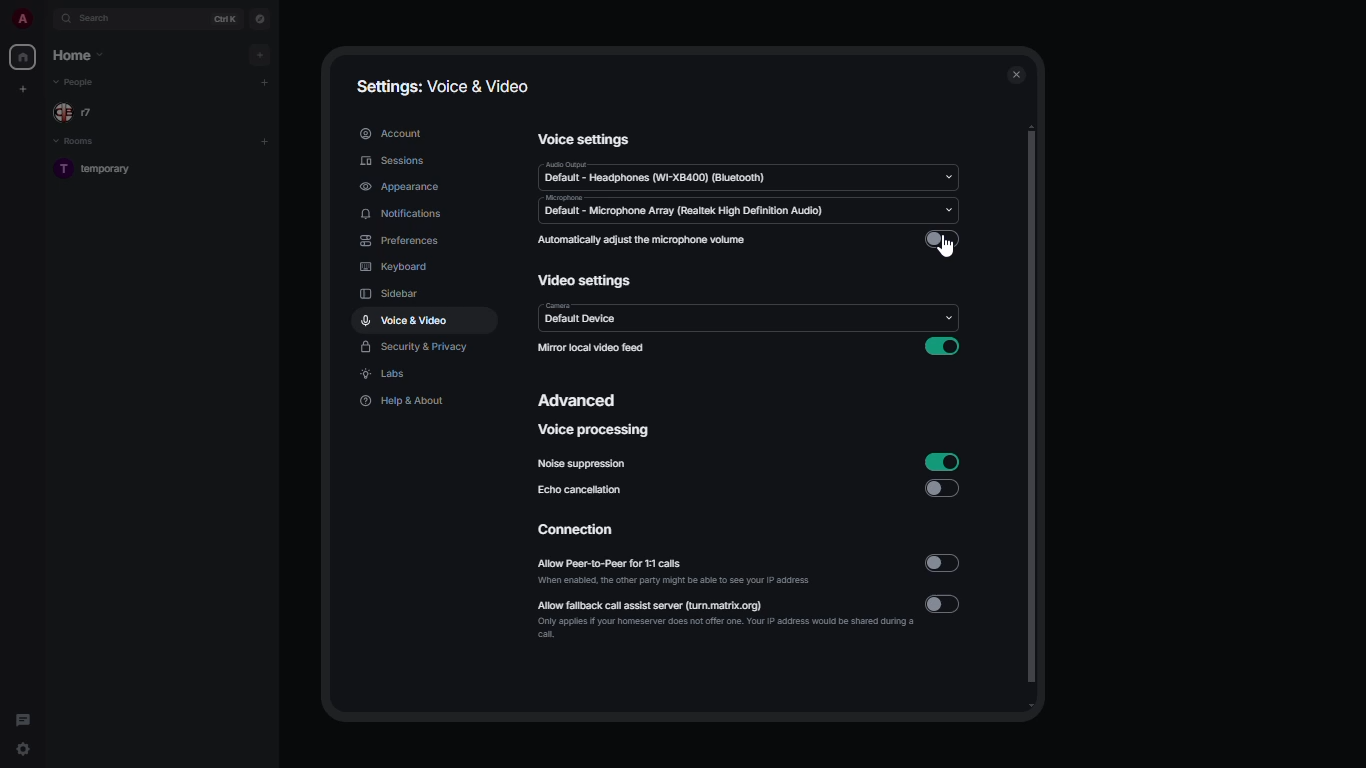 The width and height of the screenshot is (1366, 768). What do you see at coordinates (80, 112) in the screenshot?
I see `people` at bounding box center [80, 112].